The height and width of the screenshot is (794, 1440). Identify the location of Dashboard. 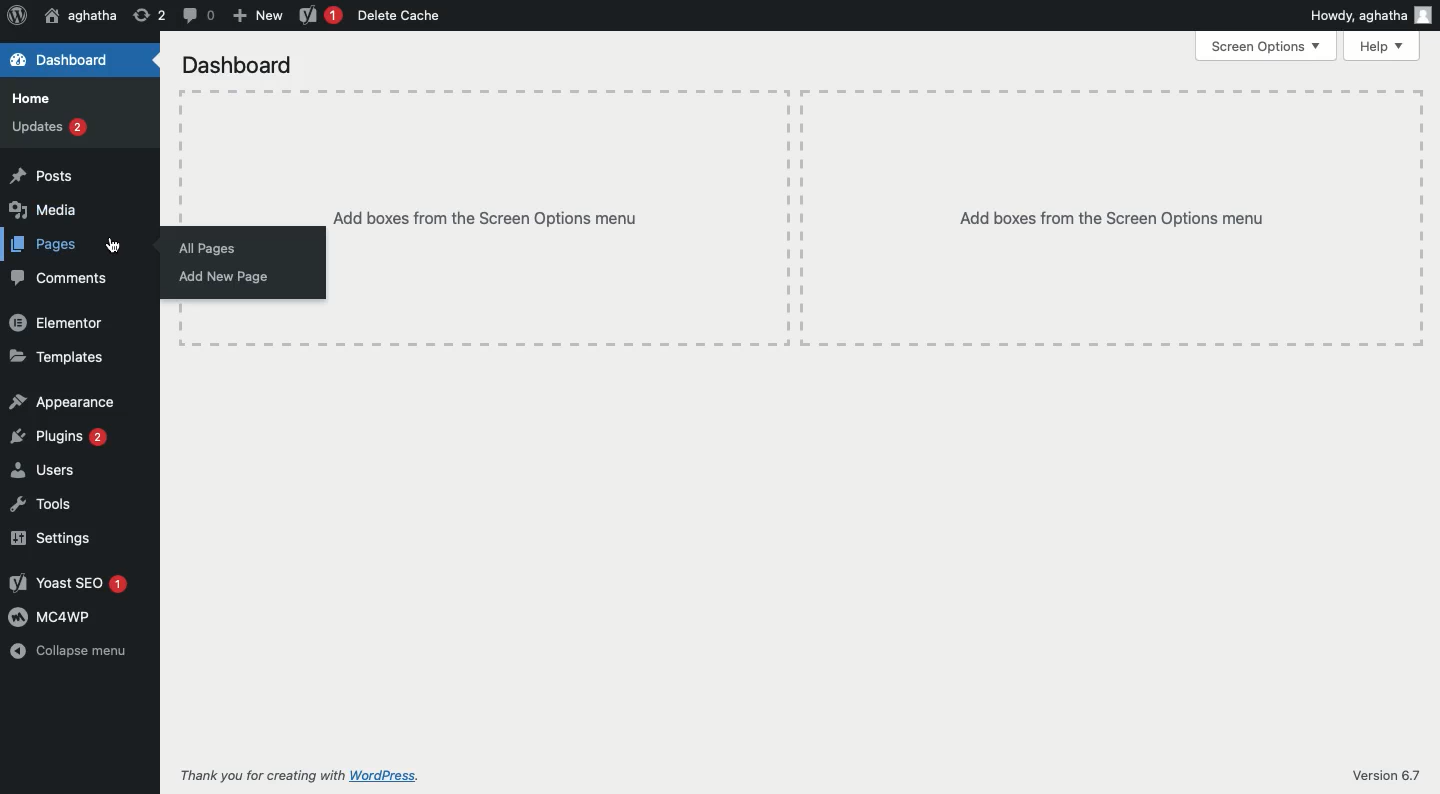
(240, 68).